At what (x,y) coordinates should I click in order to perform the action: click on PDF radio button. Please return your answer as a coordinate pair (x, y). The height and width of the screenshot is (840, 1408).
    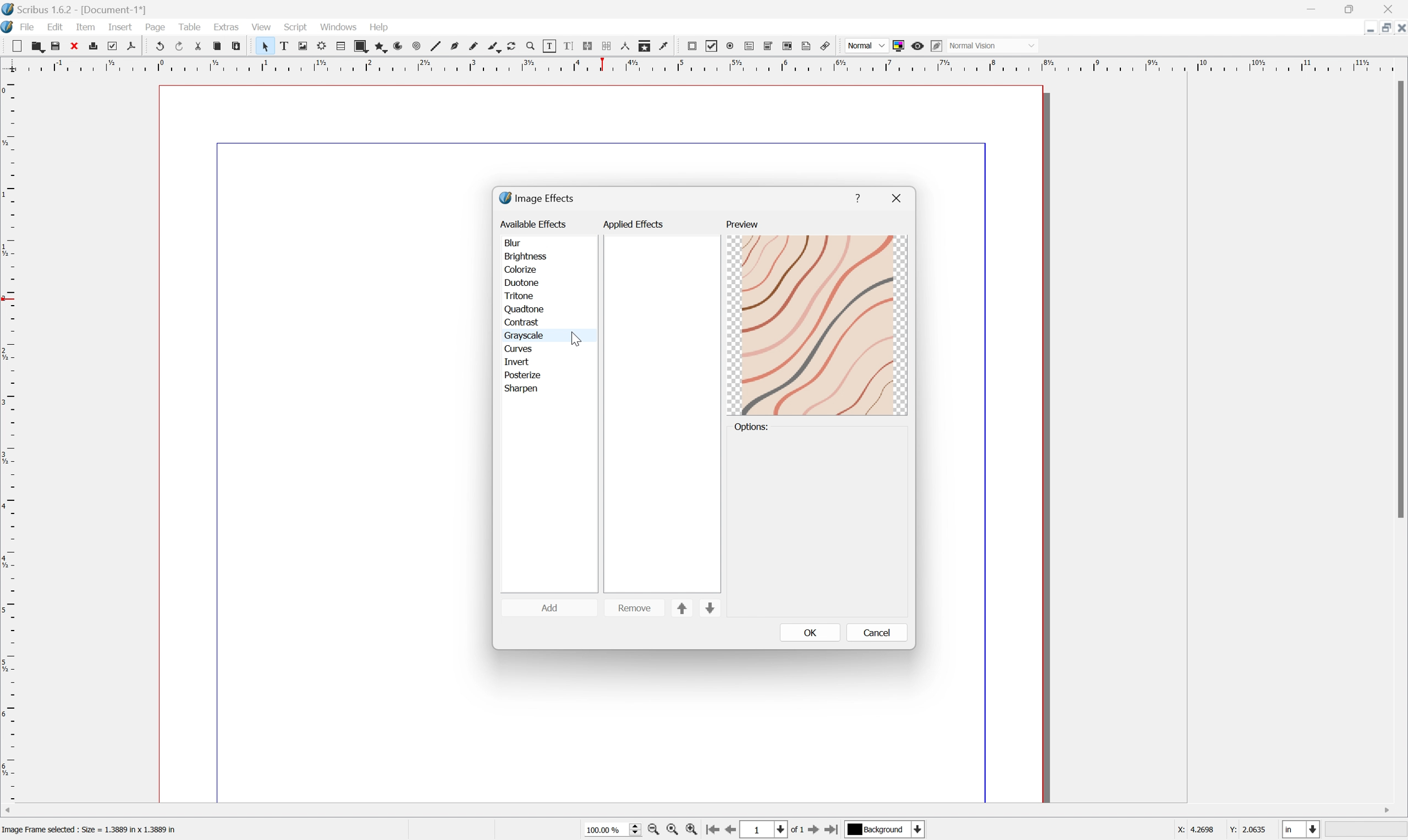
    Looking at the image, I should click on (731, 45).